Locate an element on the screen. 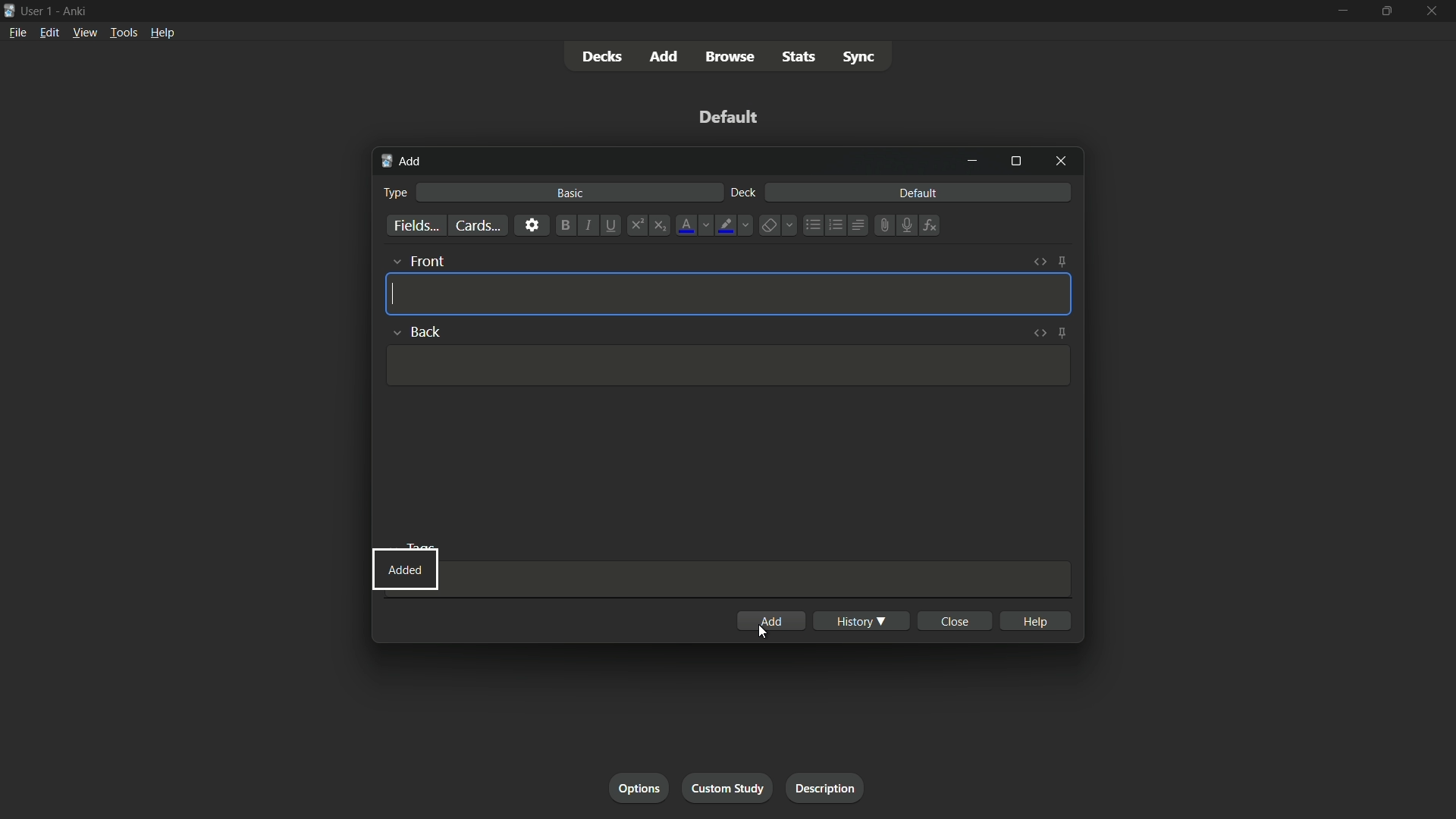  help menu is located at coordinates (162, 33).